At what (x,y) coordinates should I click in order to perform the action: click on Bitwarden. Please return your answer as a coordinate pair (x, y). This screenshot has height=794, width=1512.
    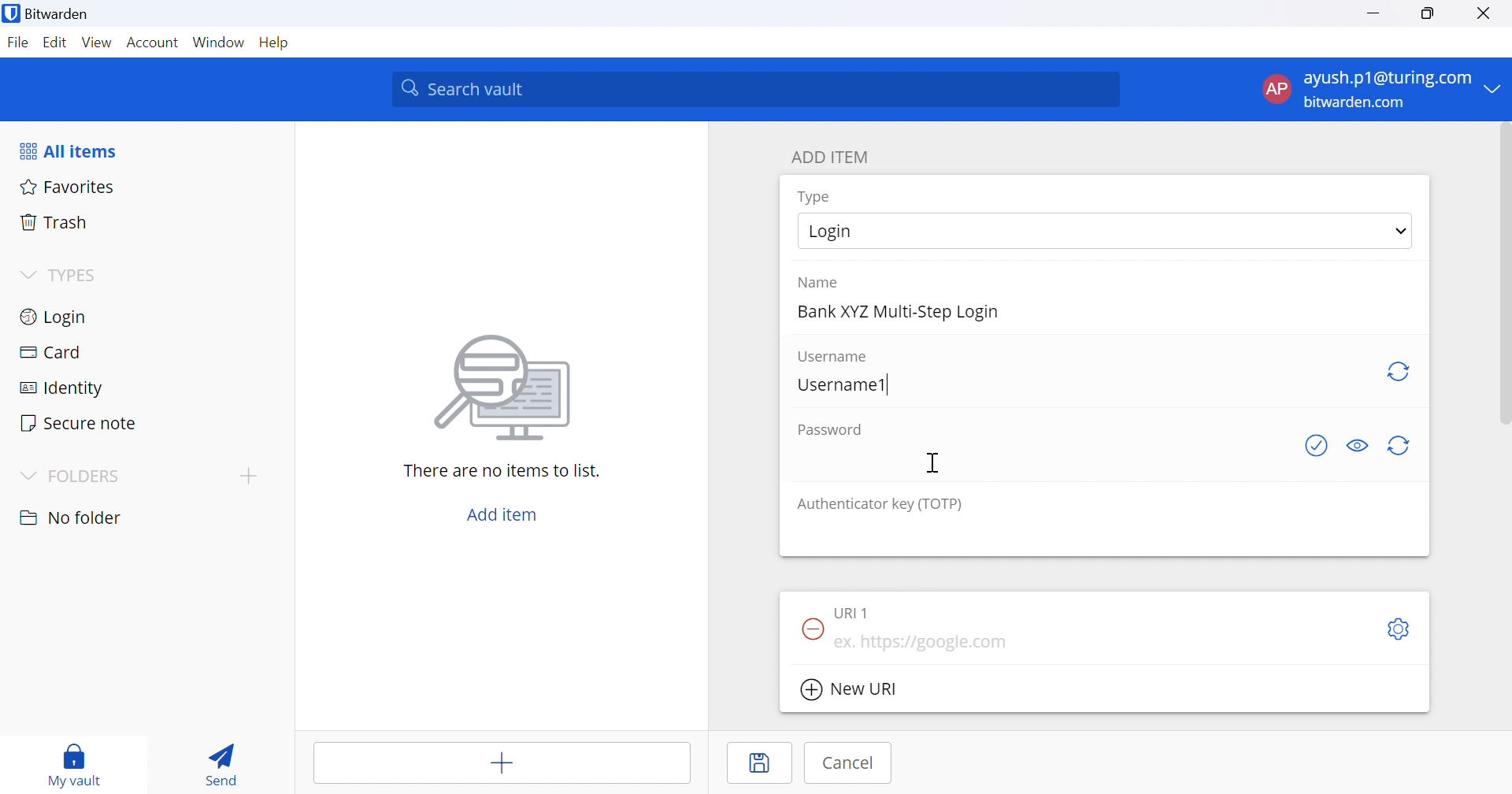
    Looking at the image, I should click on (50, 17).